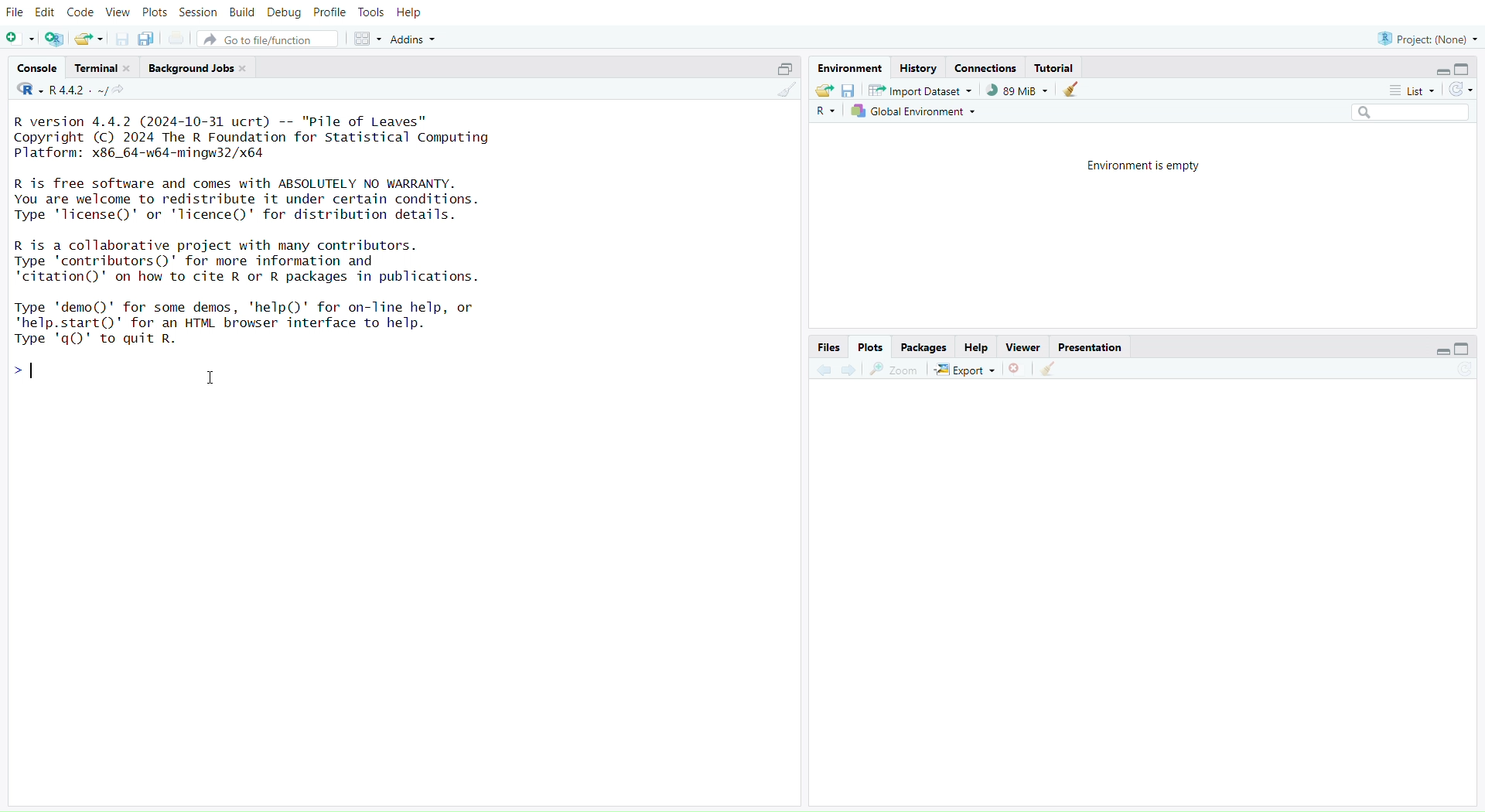 The width and height of the screenshot is (1485, 812). What do you see at coordinates (1138, 163) in the screenshot?
I see `Environment is empty` at bounding box center [1138, 163].